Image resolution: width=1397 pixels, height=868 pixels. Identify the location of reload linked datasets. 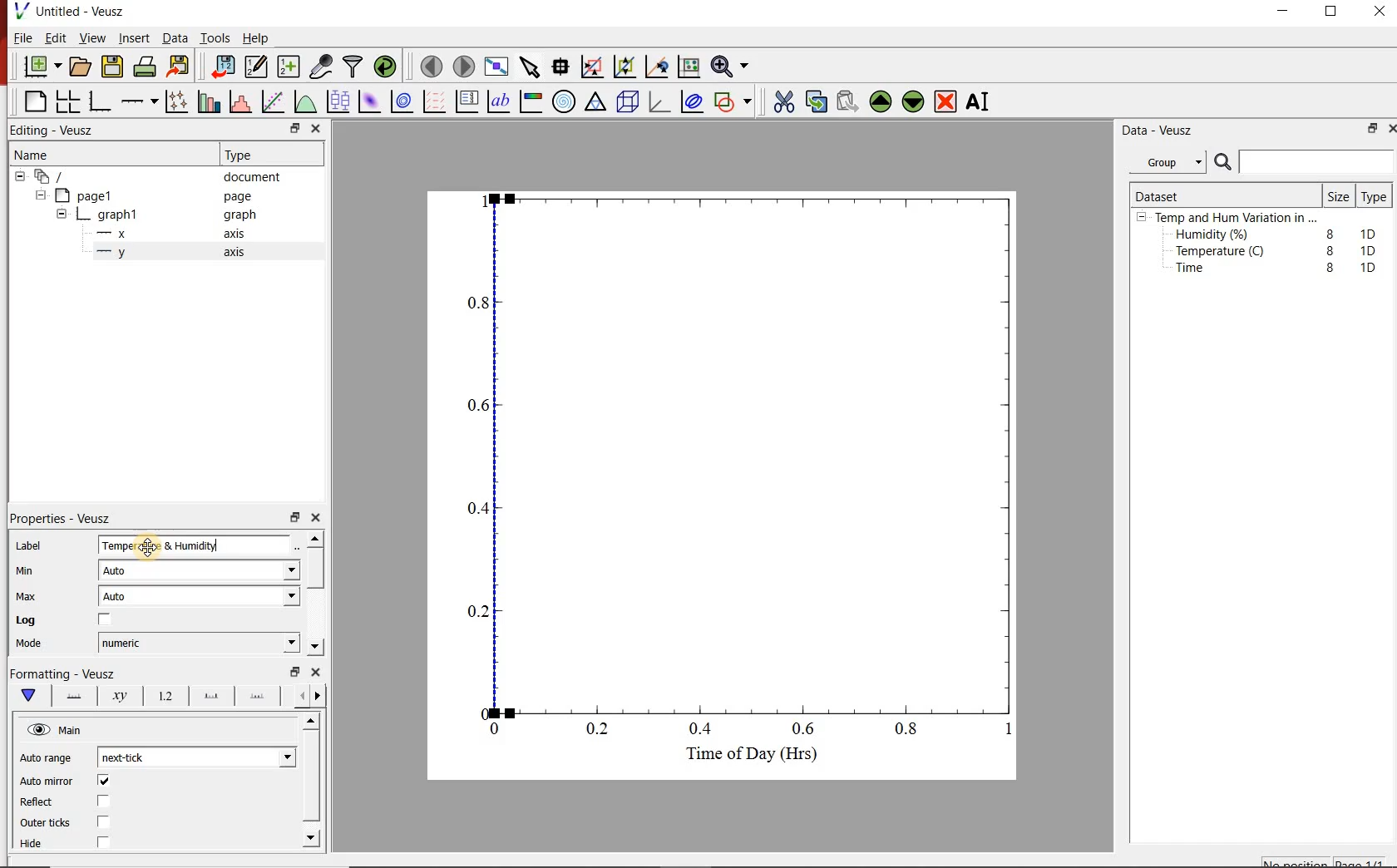
(385, 67).